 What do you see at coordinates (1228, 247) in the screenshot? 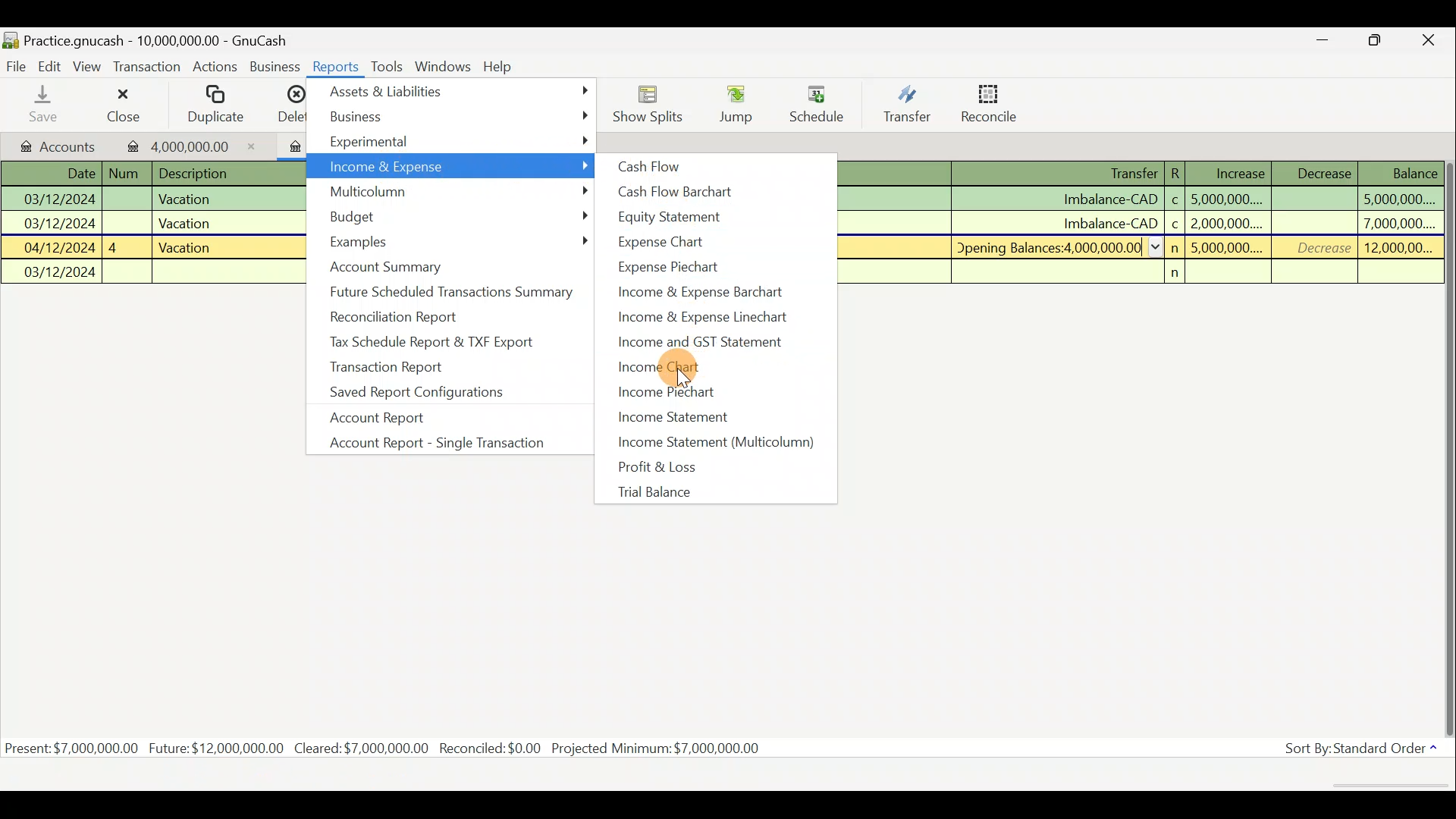
I see `5,000,000....` at bounding box center [1228, 247].